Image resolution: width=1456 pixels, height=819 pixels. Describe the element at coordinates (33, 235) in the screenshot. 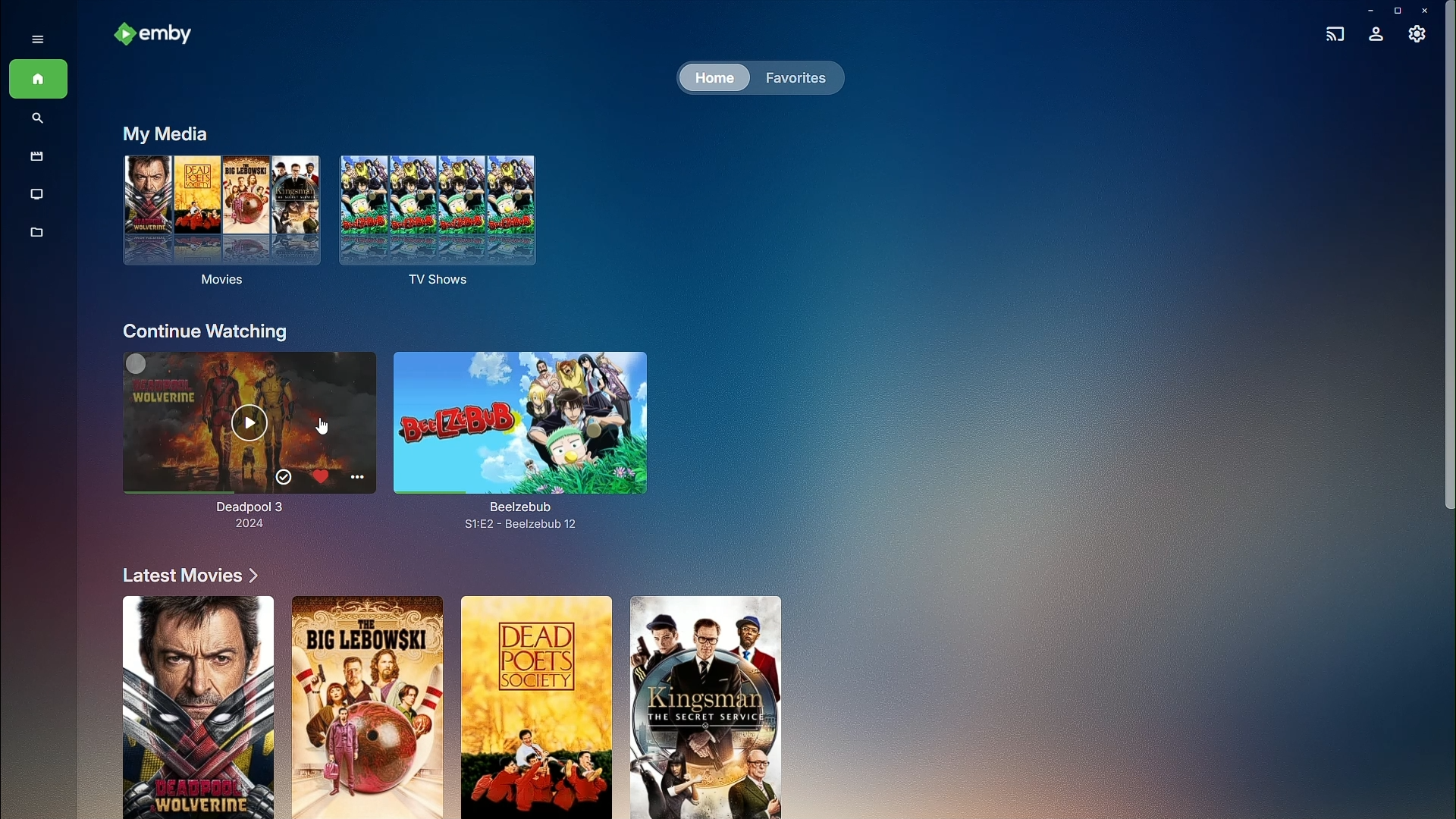

I see `Metadata` at that location.